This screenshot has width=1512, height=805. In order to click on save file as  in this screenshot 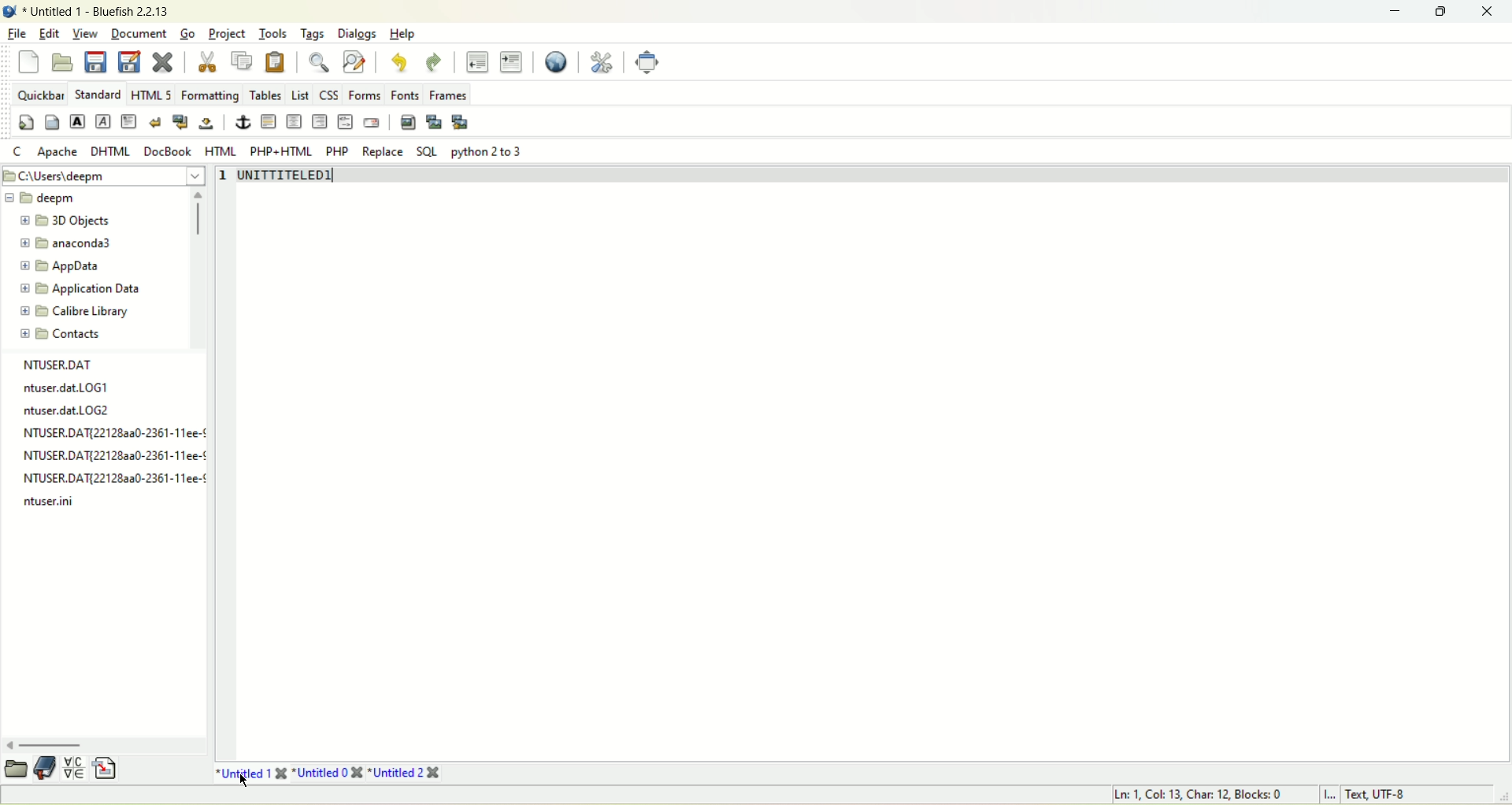, I will do `click(128, 63)`.